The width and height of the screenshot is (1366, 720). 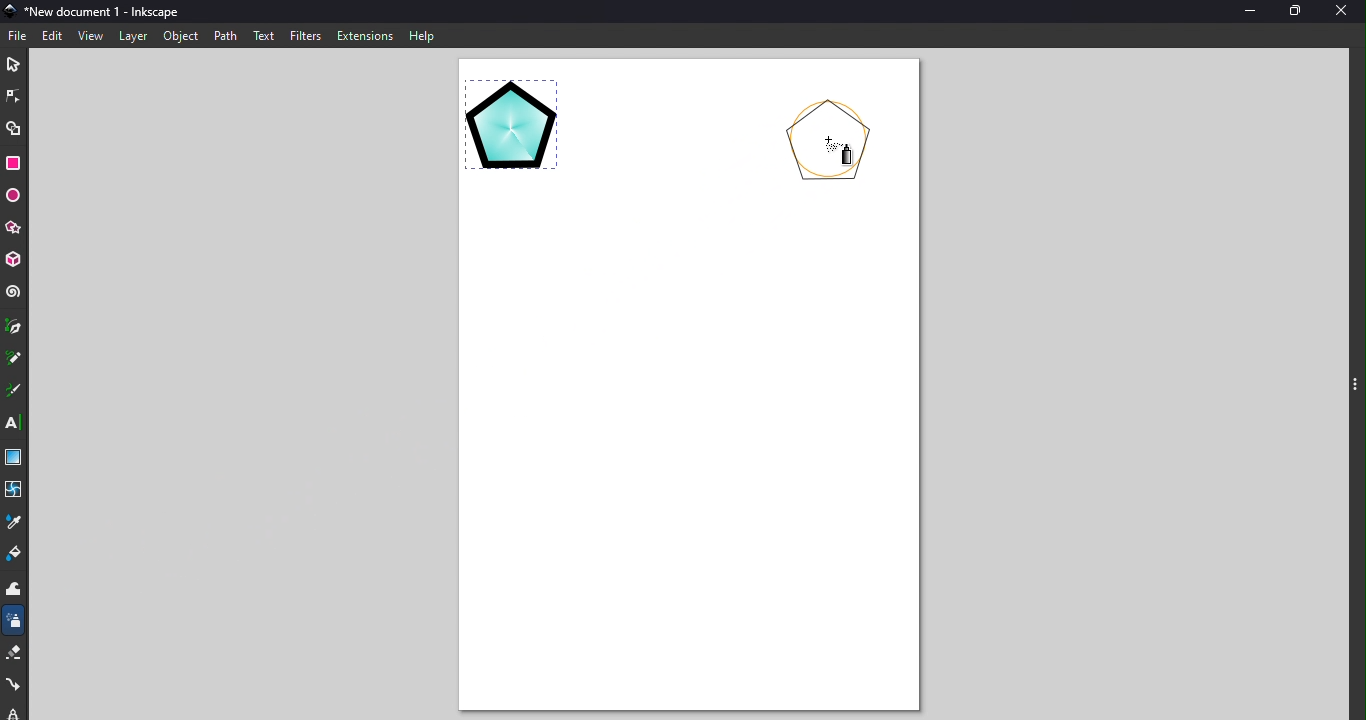 I want to click on Tweak tool, so click(x=18, y=591).